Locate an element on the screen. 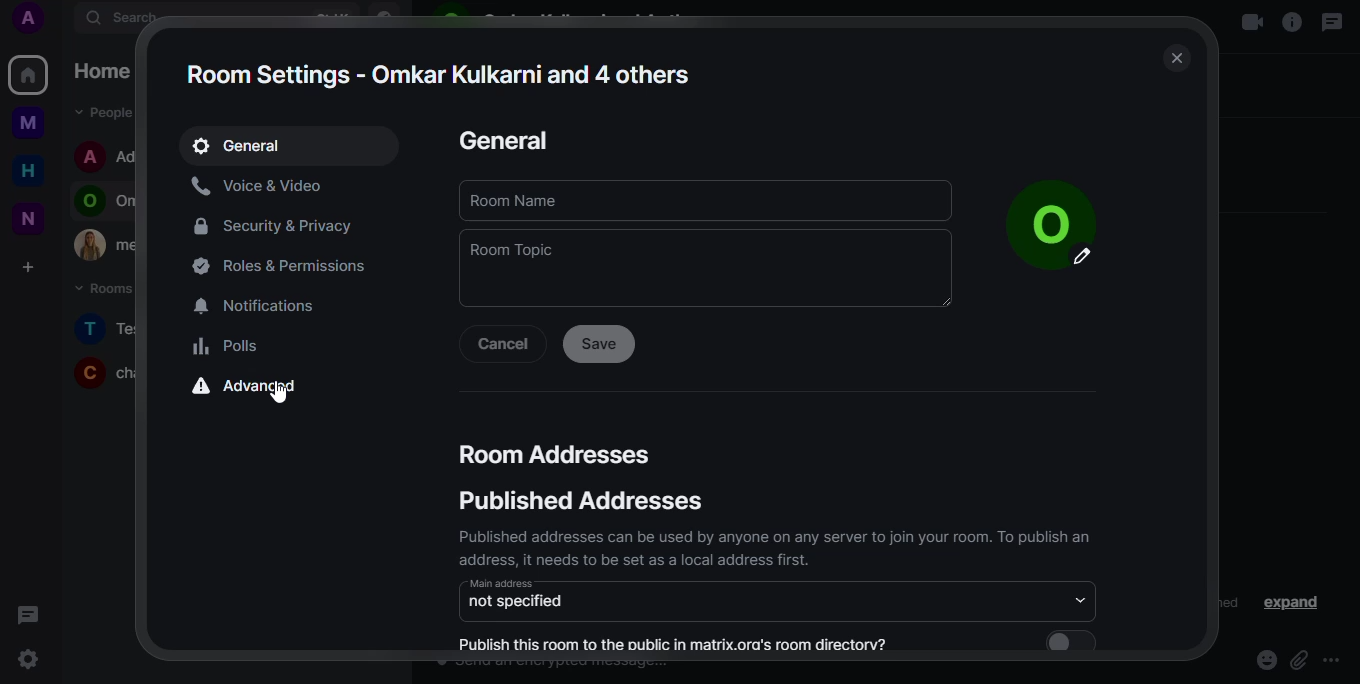 The width and height of the screenshot is (1360, 684). roles is located at coordinates (287, 268).